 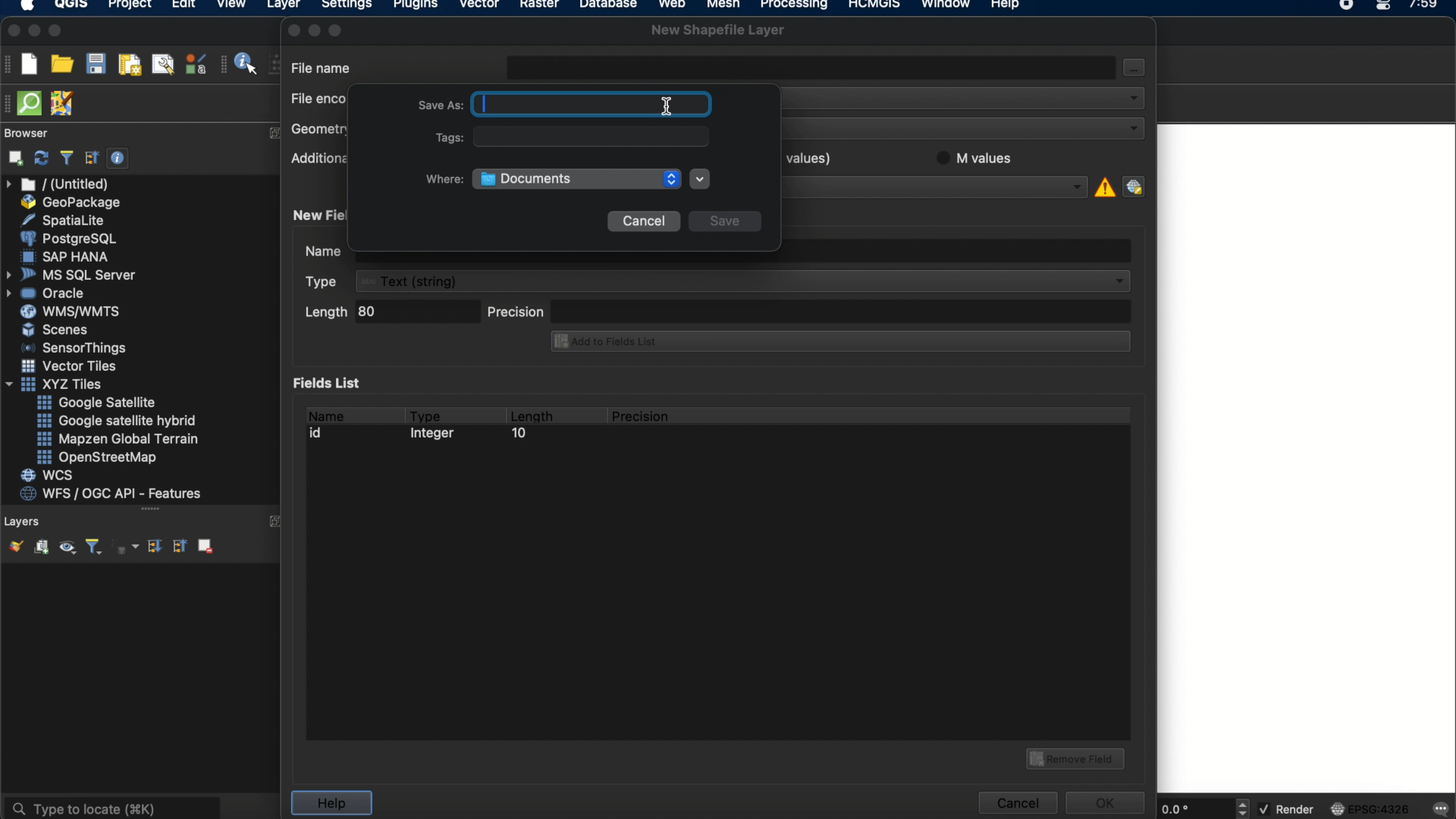 What do you see at coordinates (111, 494) in the screenshot?
I see `was/ogc api- features` at bounding box center [111, 494].